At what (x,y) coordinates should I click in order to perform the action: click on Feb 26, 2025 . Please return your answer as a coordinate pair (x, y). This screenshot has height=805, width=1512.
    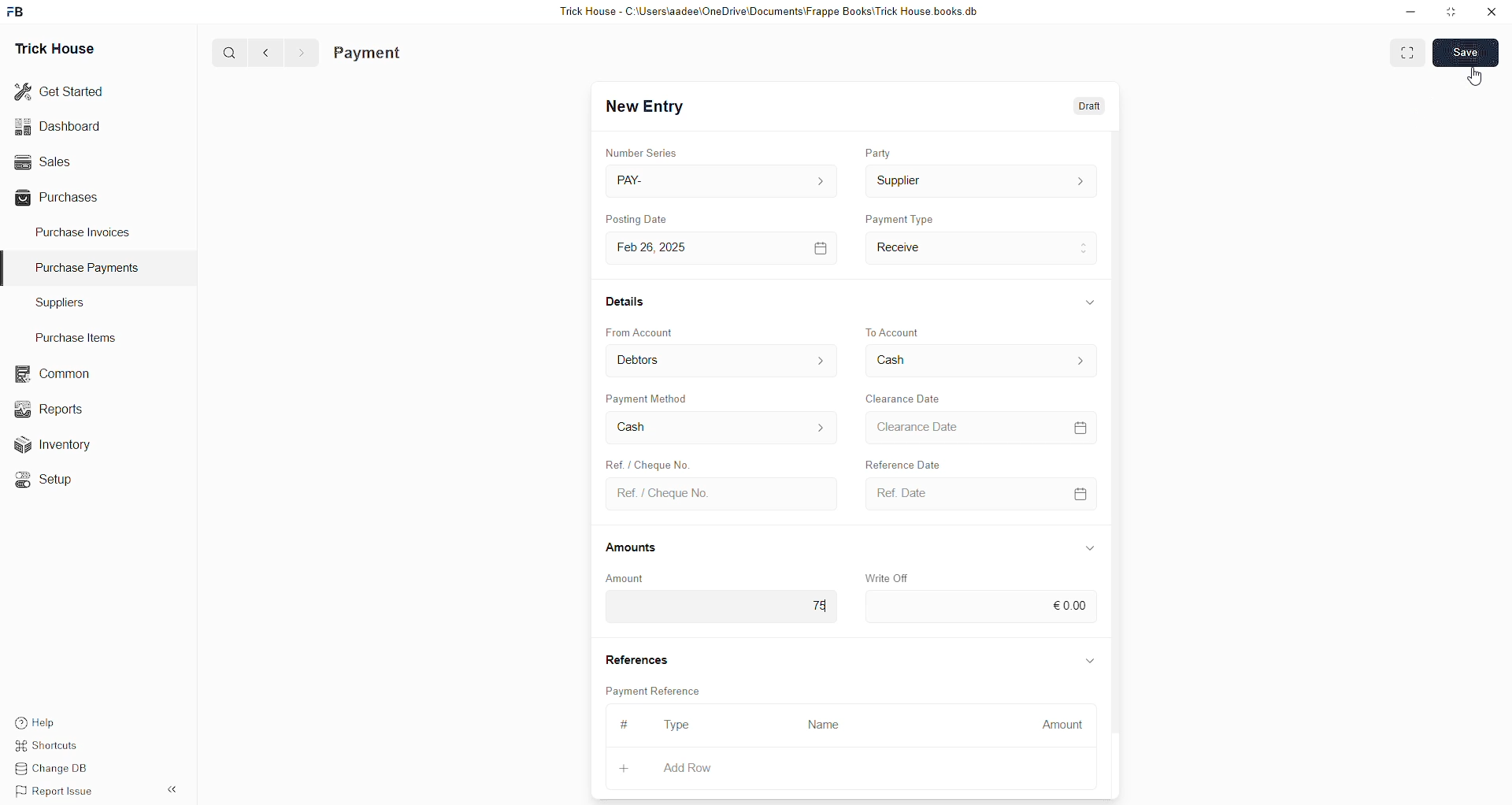
    Looking at the image, I should click on (719, 247).